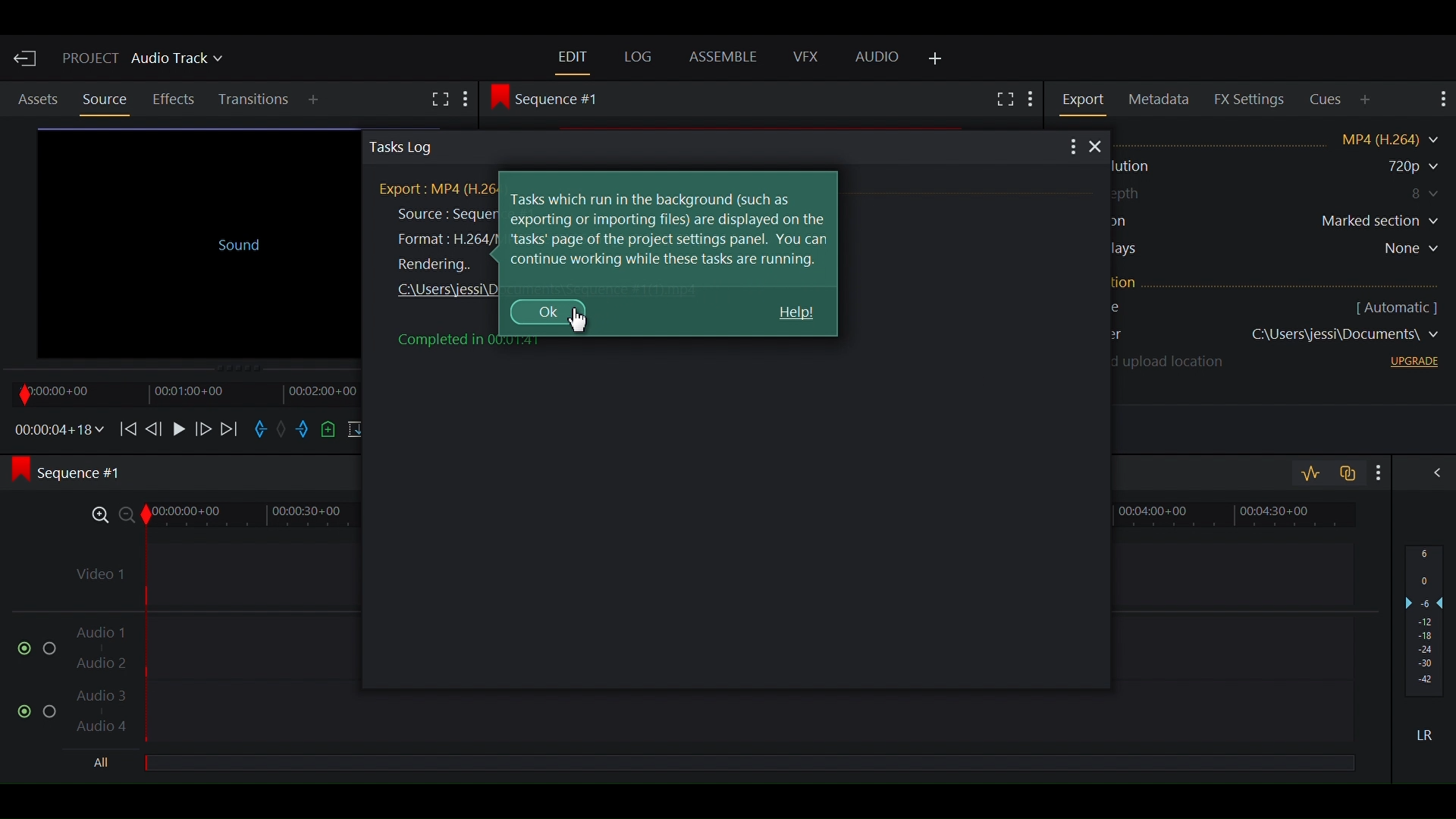  I want to click on Assemble, so click(726, 58).